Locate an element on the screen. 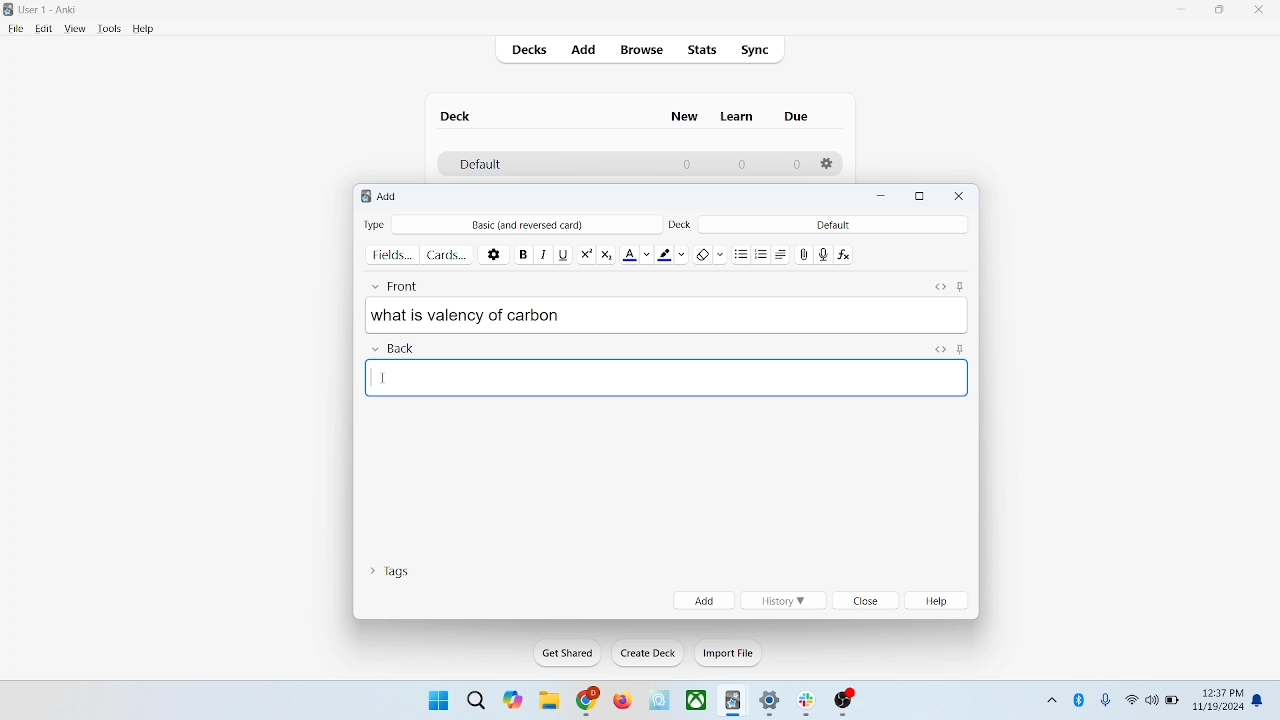  0 is located at coordinates (796, 165).